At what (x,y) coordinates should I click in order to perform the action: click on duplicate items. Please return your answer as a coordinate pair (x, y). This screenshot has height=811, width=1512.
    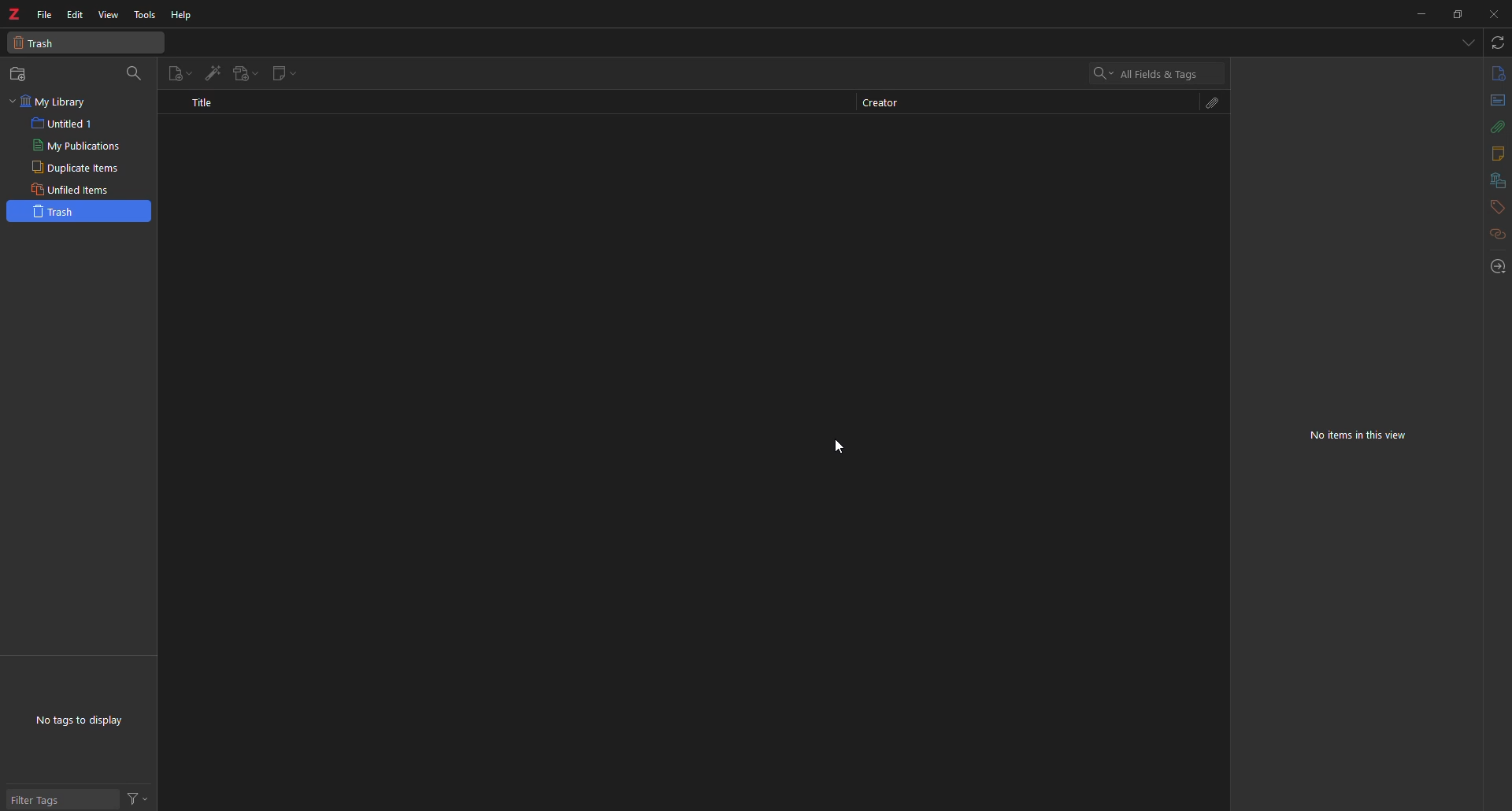
    Looking at the image, I should click on (75, 168).